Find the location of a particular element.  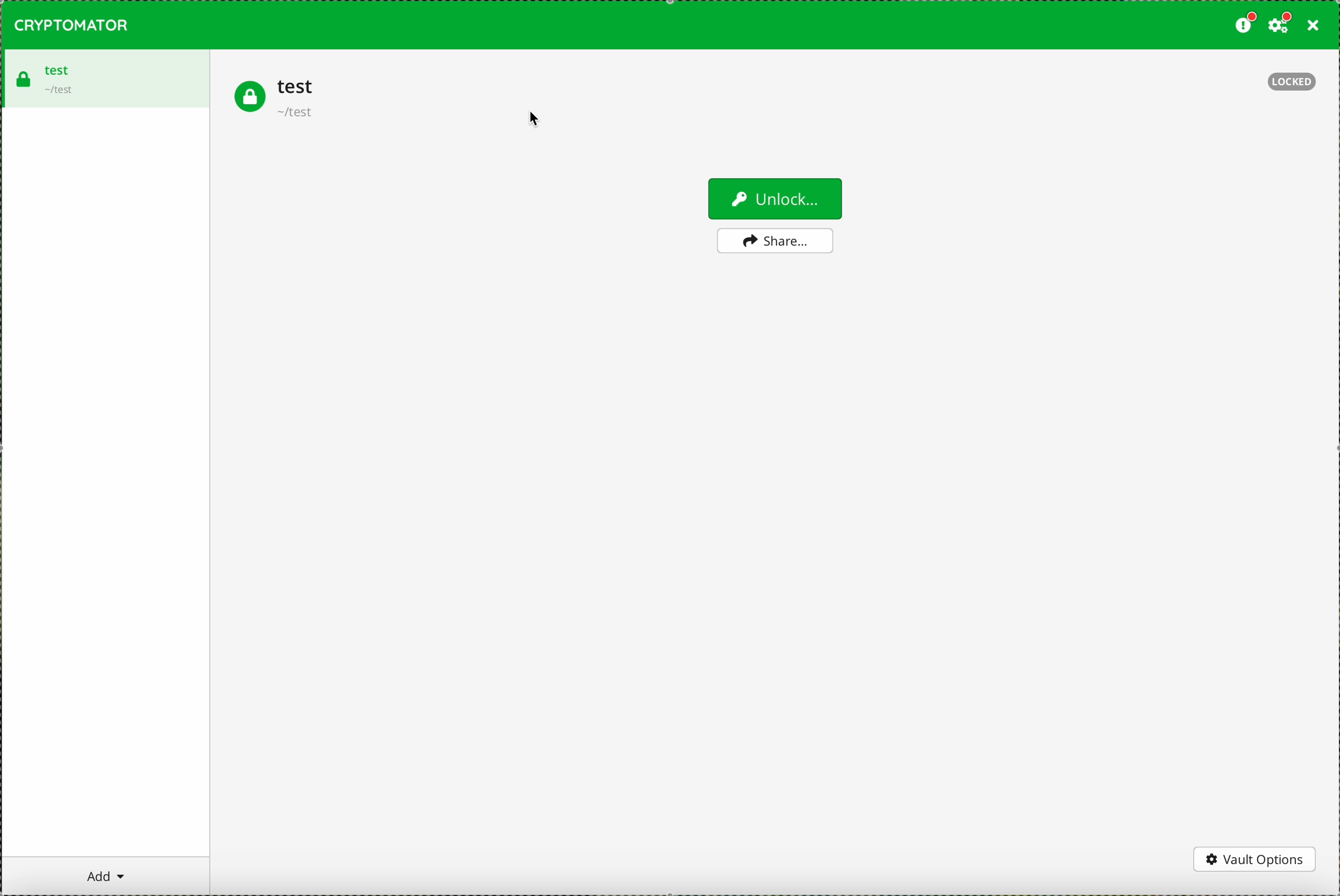

donate is located at coordinates (1245, 26).